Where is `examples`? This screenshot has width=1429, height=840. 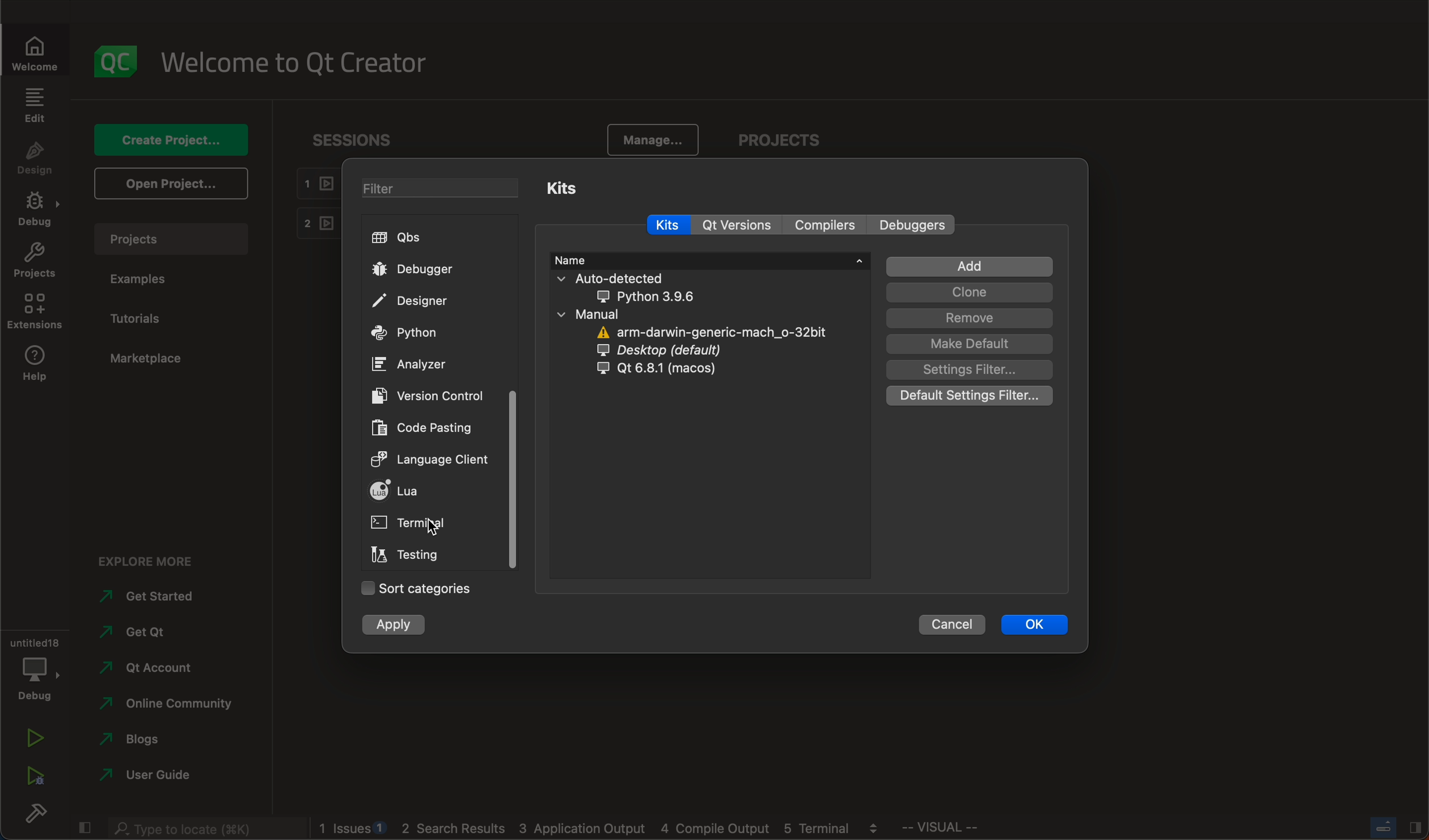
examples is located at coordinates (150, 279).